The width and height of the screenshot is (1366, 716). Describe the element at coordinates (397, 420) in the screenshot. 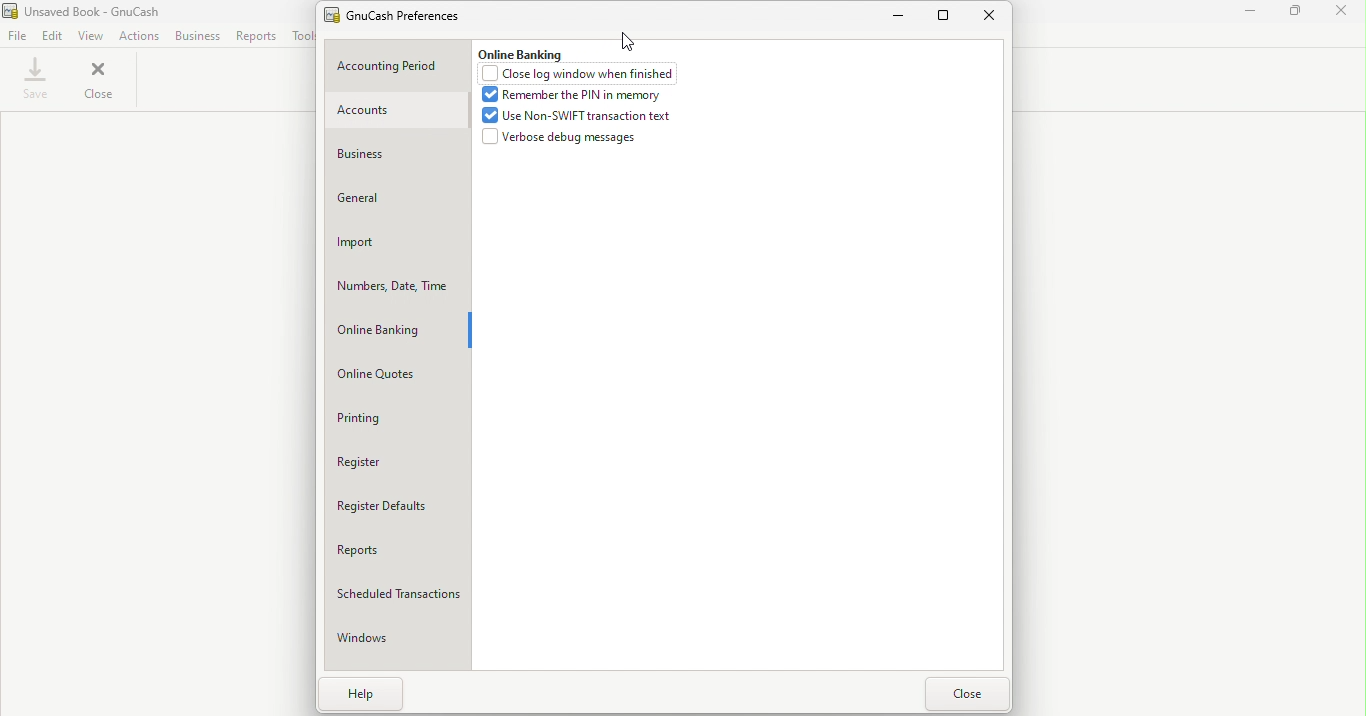

I see `Printing` at that location.